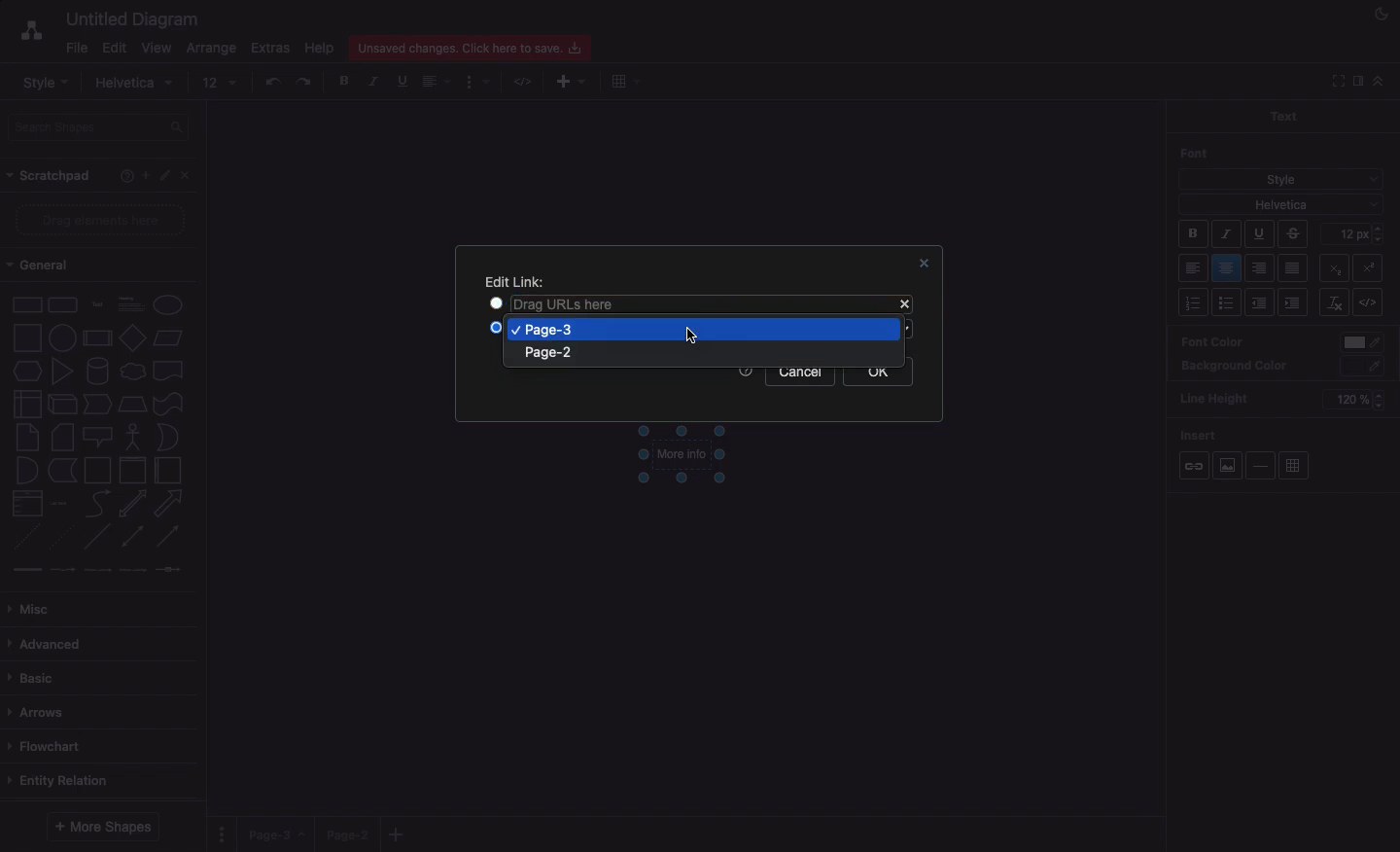 This screenshot has width=1400, height=852. I want to click on Strikethrough, so click(1295, 233).